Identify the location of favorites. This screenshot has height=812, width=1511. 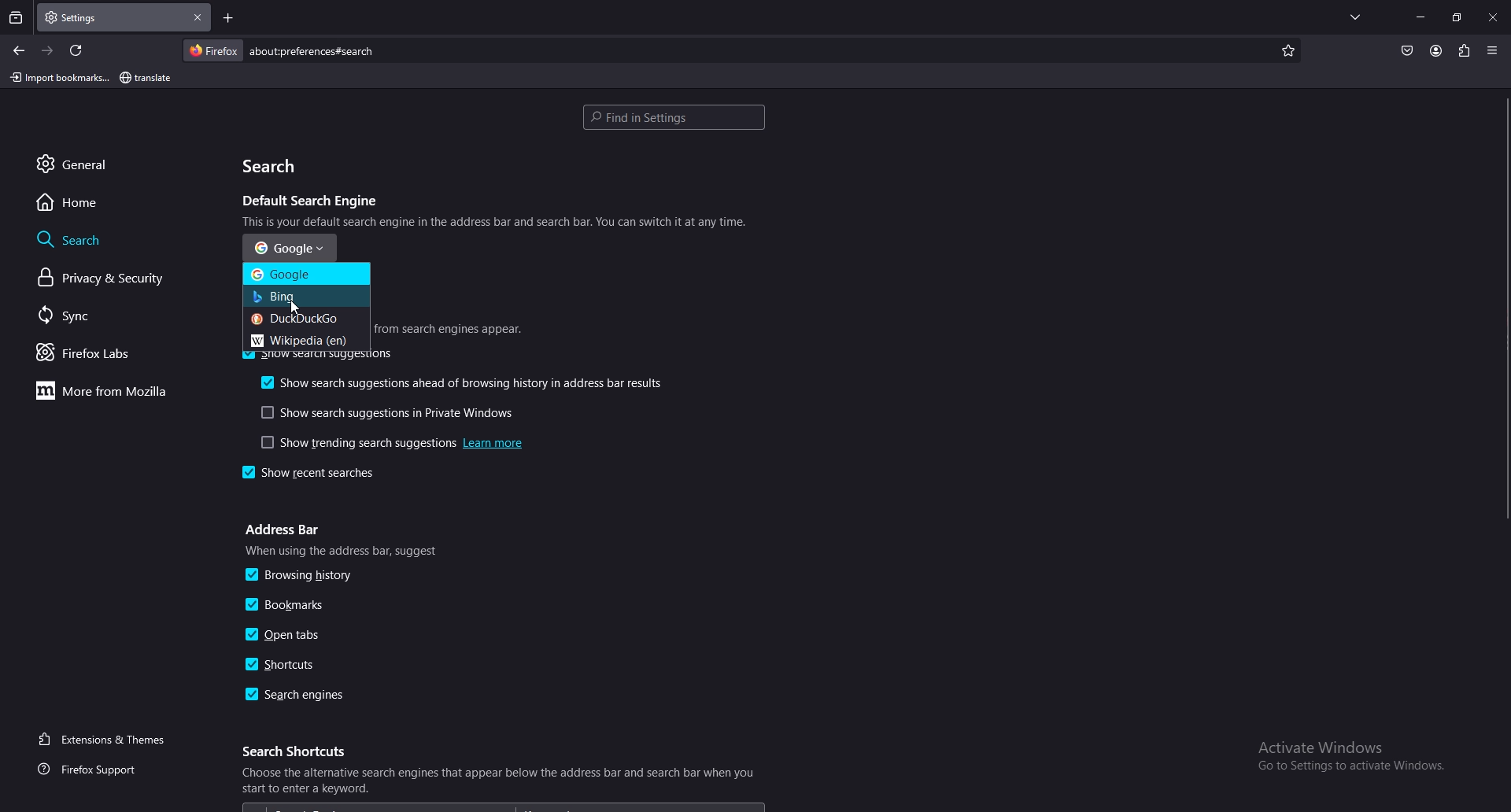
(1285, 50).